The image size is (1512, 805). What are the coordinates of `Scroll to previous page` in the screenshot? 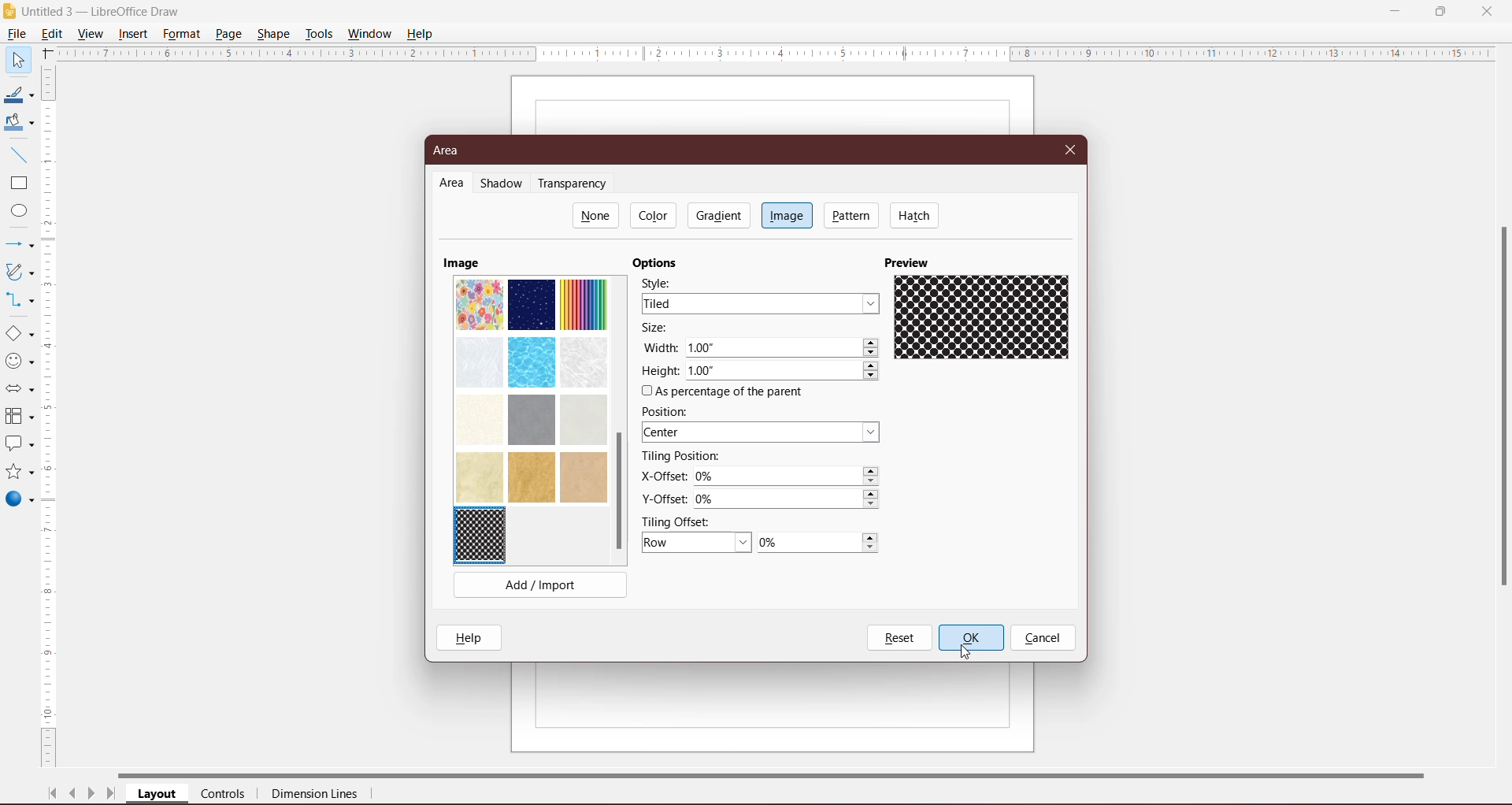 It's located at (74, 796).